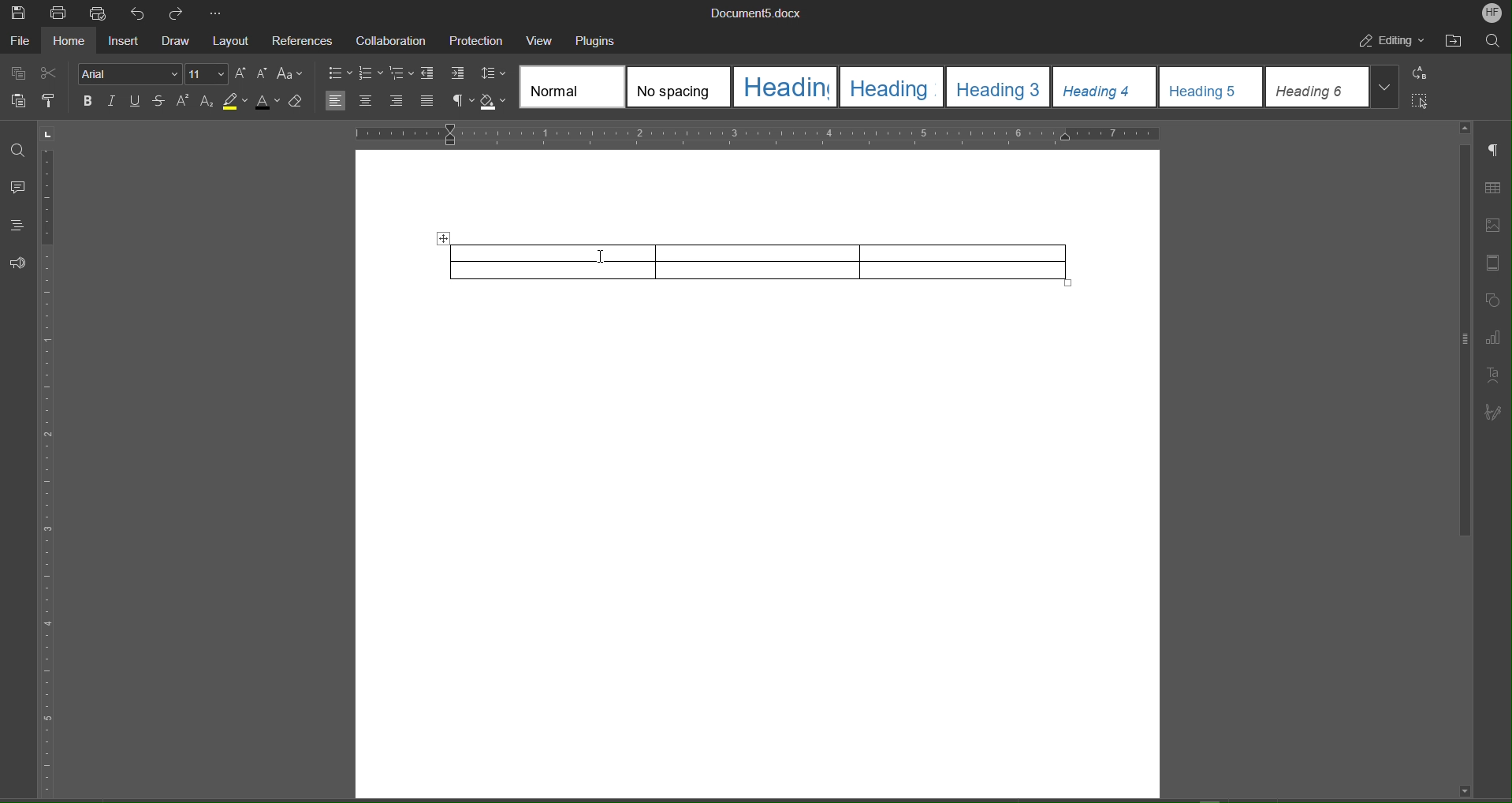 This screenshot has width=1512, height=803. I want to click on Document Name, so click(760, 13).